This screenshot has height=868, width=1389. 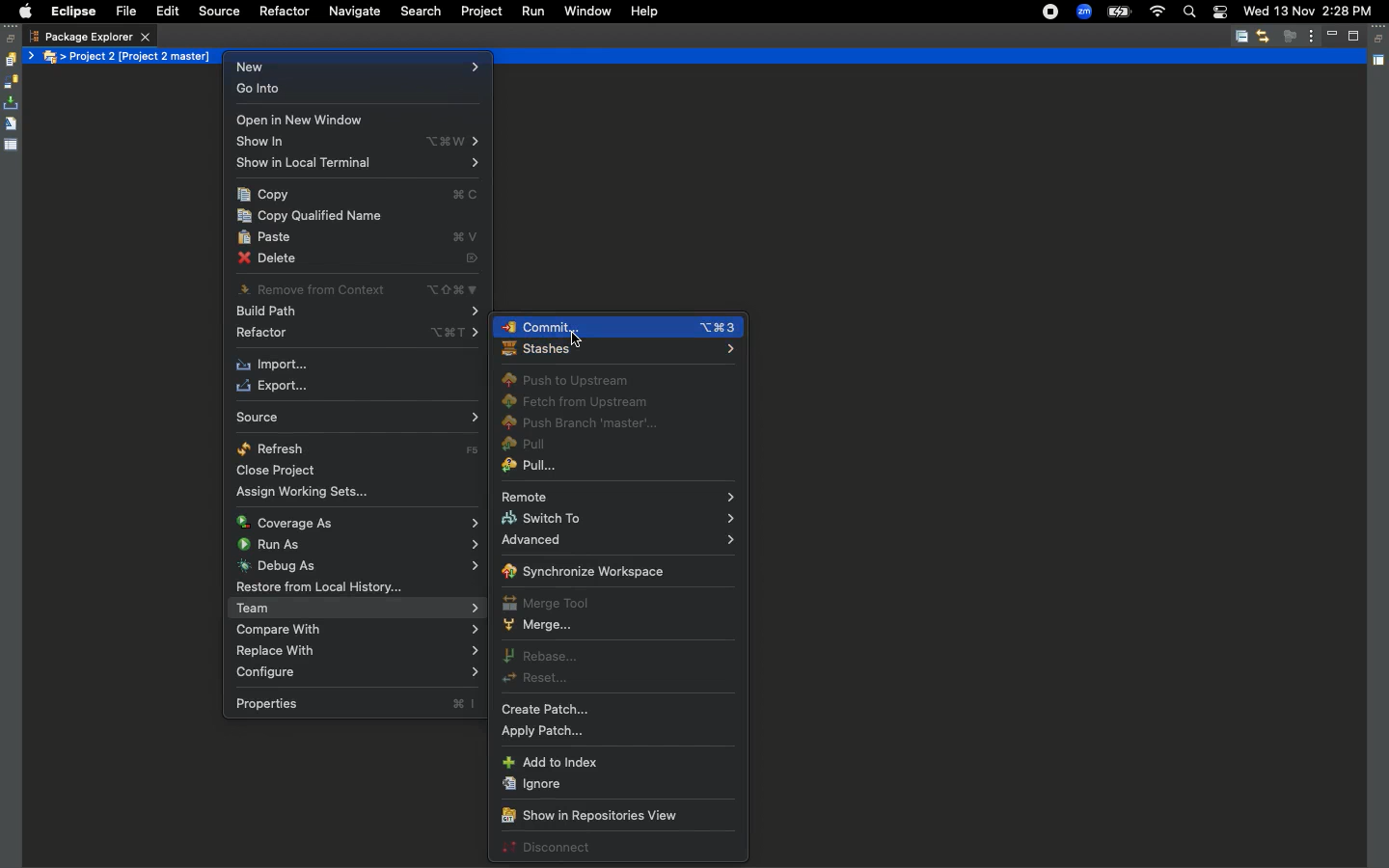 What do you see at coordinates (617, 496) in the screenshot?
I see `Remote` at bounding box center [617, 496].